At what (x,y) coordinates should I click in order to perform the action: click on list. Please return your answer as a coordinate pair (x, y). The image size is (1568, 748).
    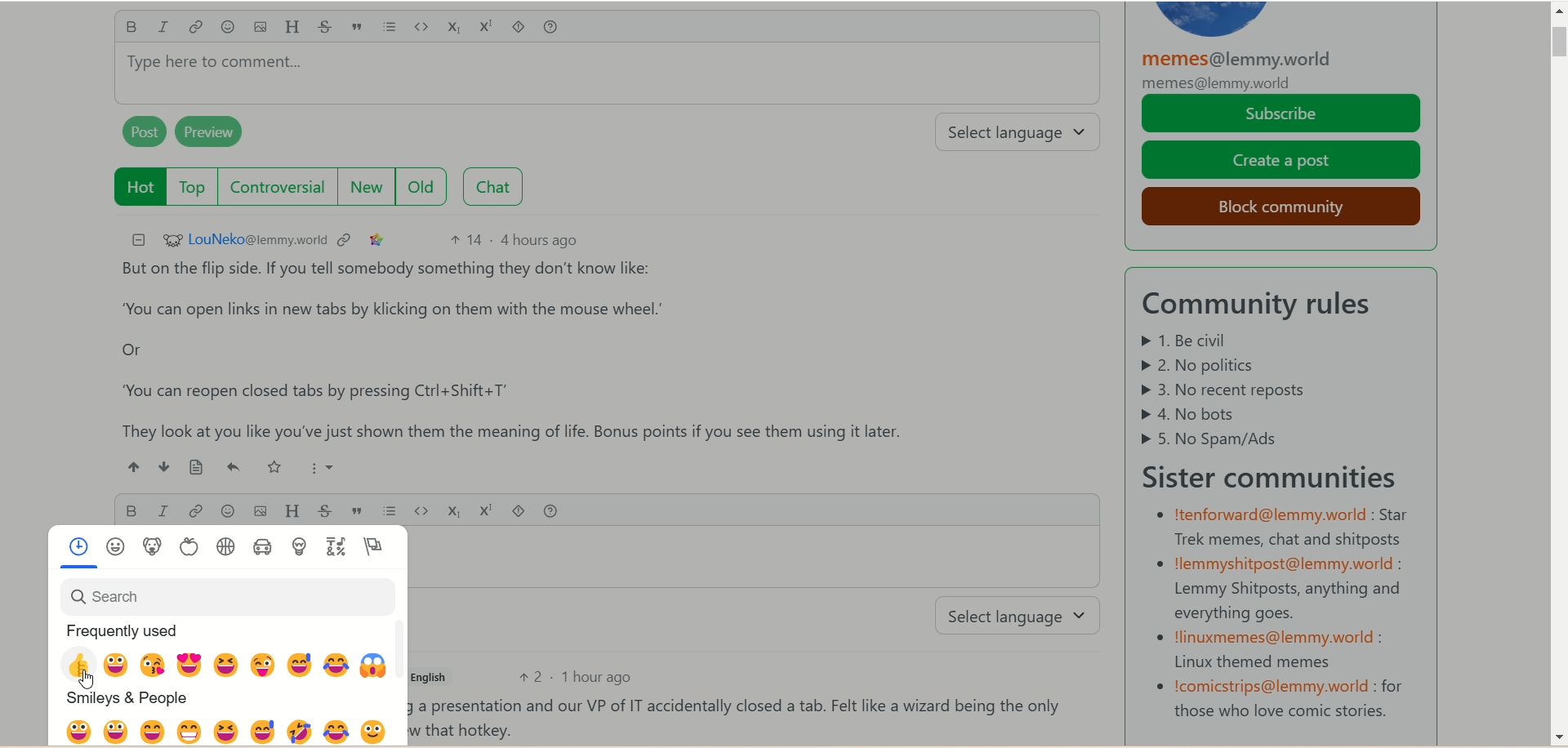
    Looking at the image, I should click on (390, 511).